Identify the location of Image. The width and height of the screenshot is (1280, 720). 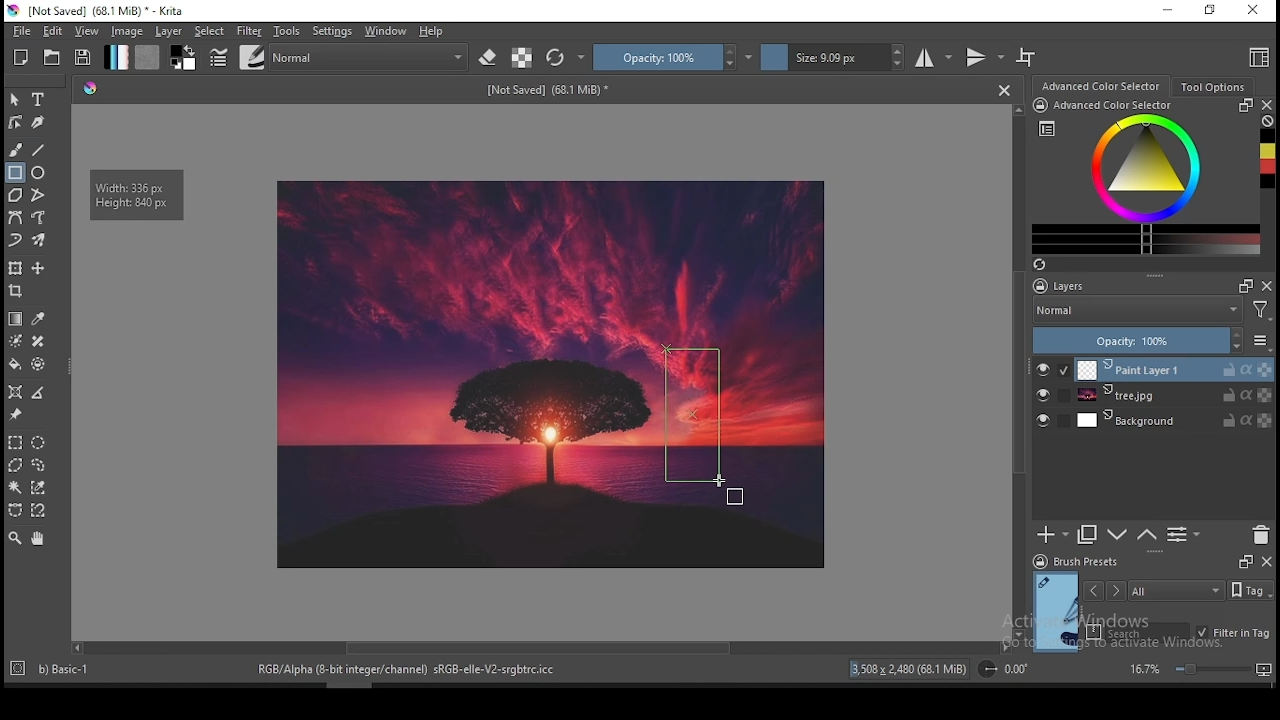
(454, 374).